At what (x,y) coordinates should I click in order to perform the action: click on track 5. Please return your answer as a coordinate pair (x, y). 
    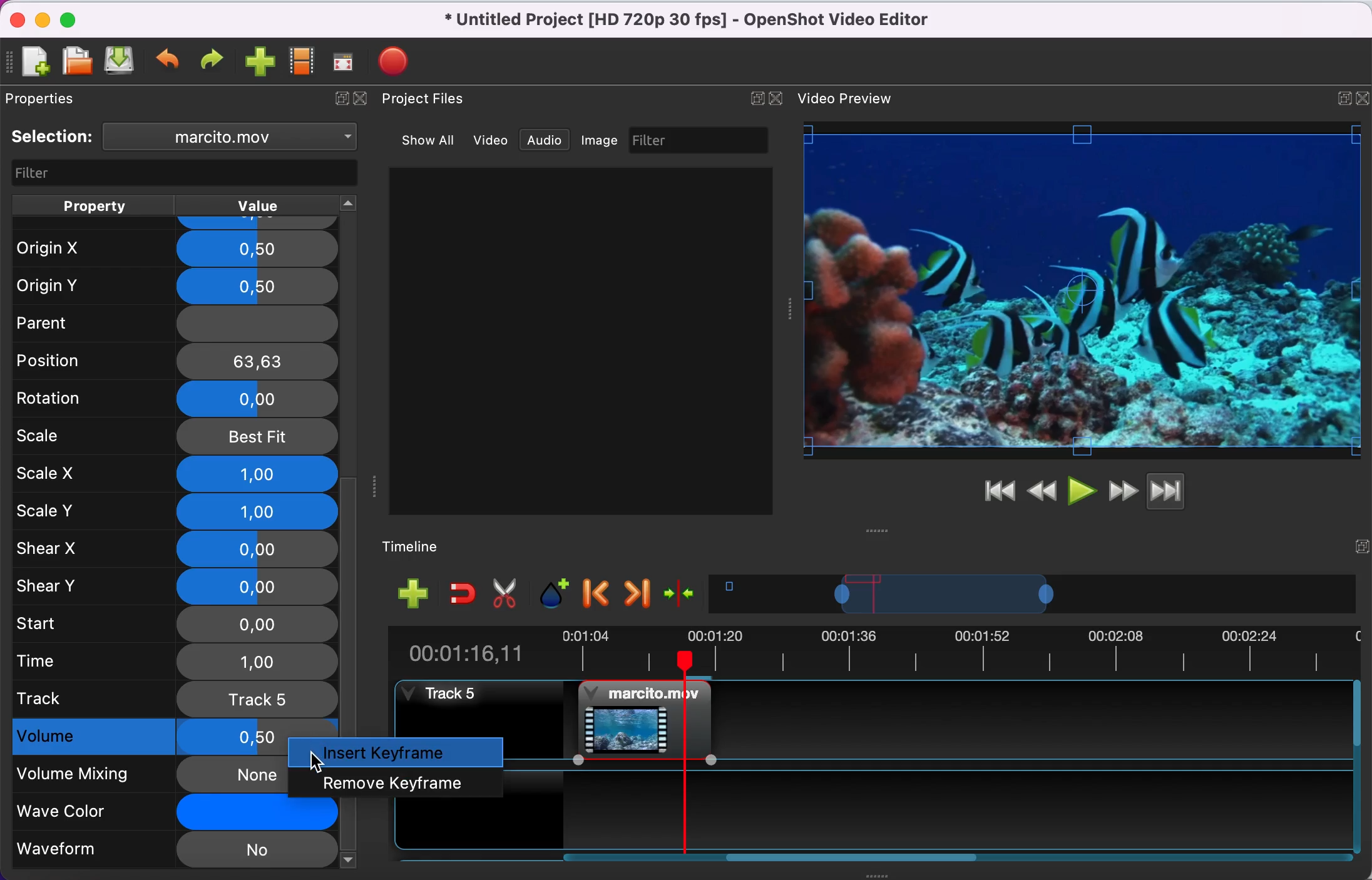
    Looking at the image, I should click on (446, 697).